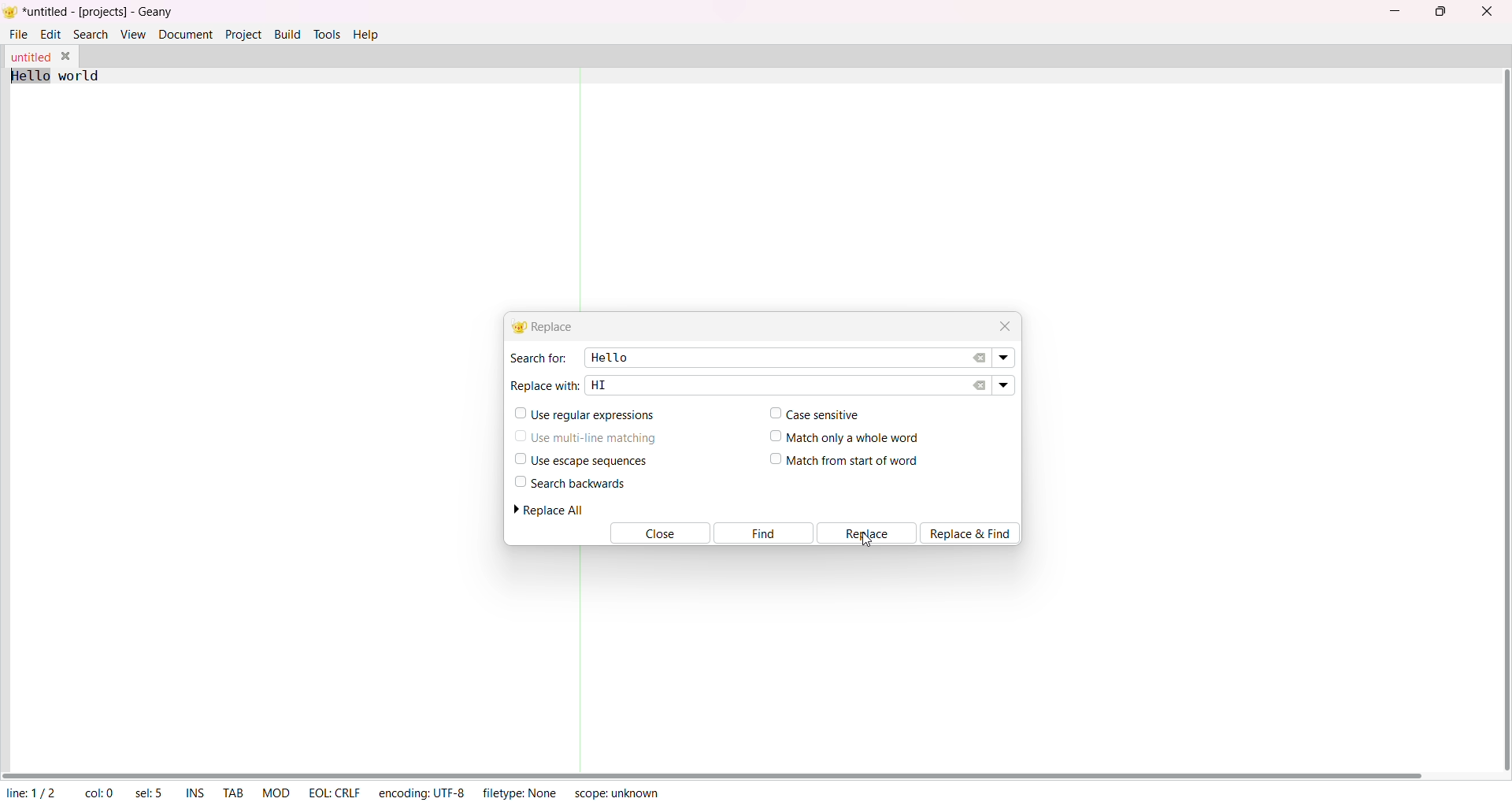 Image resolution: width=1512 pixels, height=802 pixels. What do you see at coordinates (30, 793) in the screenshot?
I see `line: 2/2` at bounding box center [30, 793].